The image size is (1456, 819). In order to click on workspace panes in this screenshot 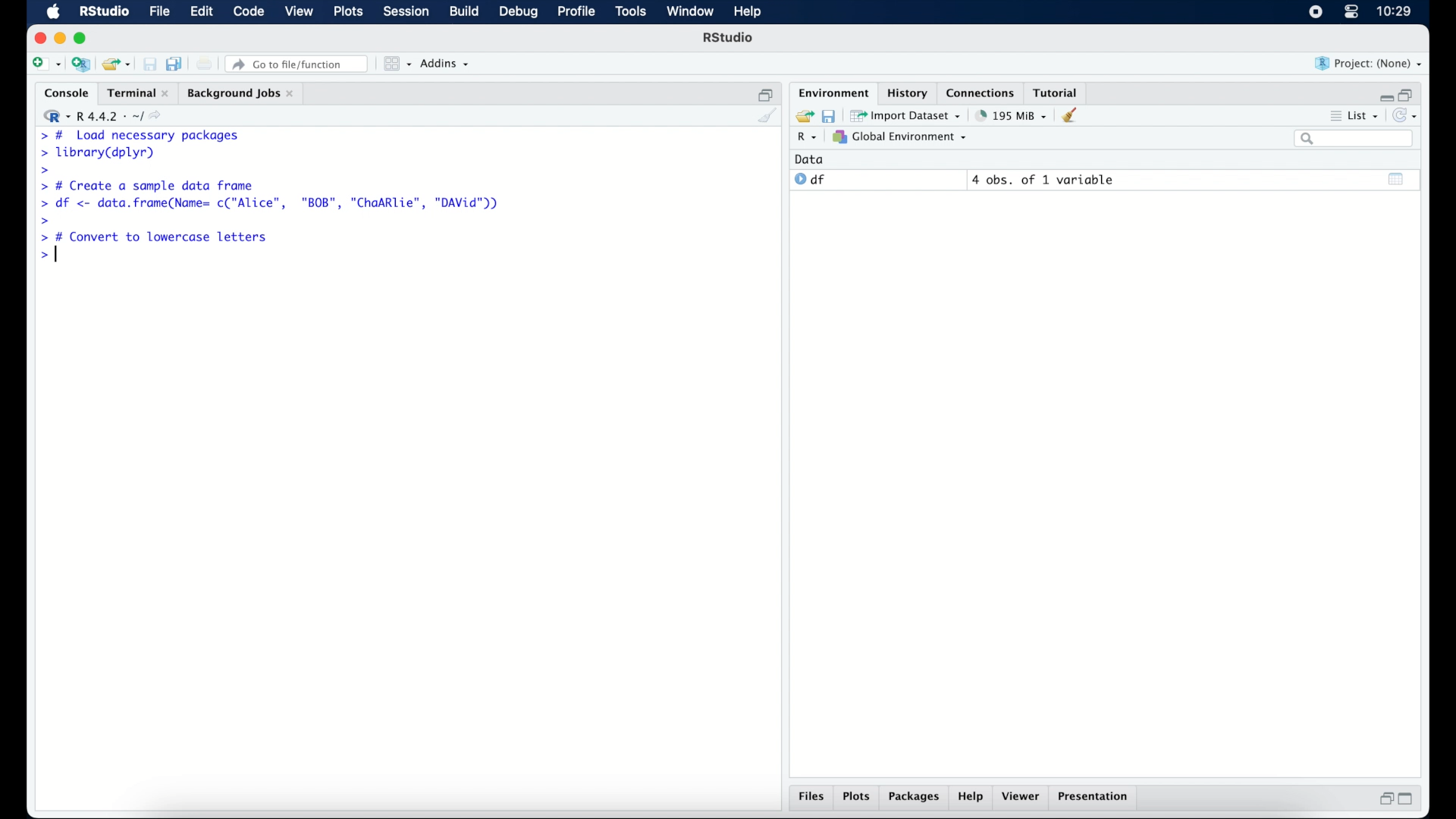, I will do `click(396, 64)`.